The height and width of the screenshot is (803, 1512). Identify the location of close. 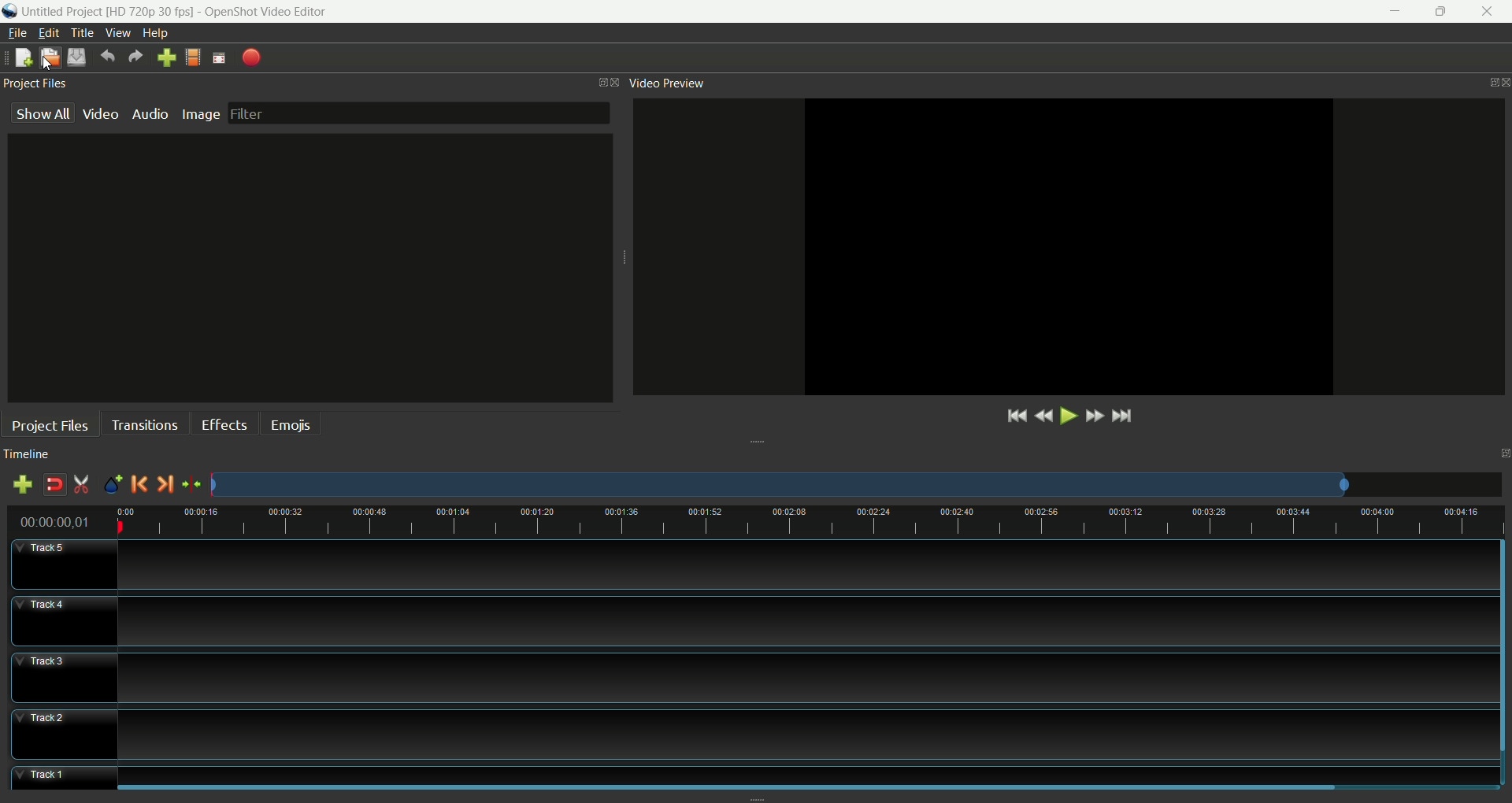
(1490, 13).